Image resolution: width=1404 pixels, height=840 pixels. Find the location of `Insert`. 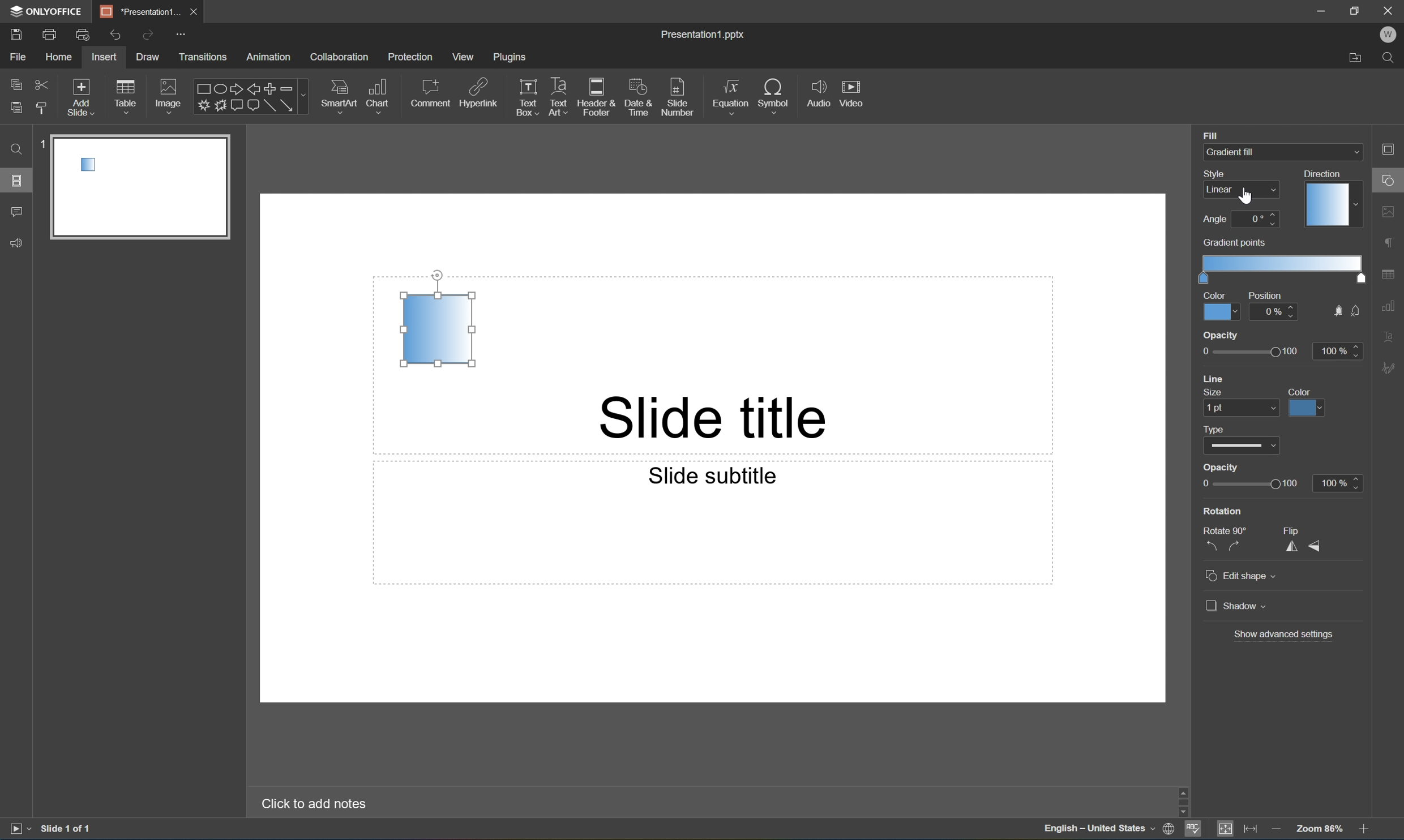

Insert is located at coordinates (104, 57).